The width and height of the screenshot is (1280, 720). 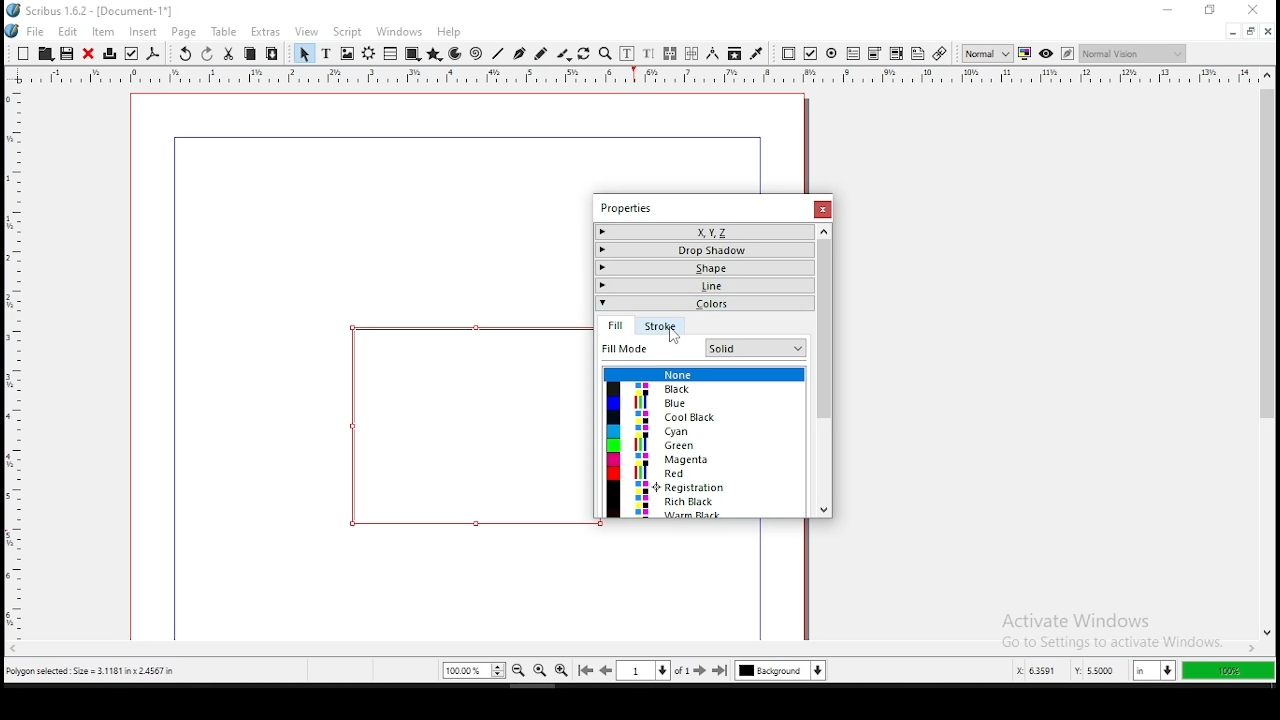 What do you see at coordinates (681, 670) in the screenshot?
I see `of 1` at bounding box center [681, 670].